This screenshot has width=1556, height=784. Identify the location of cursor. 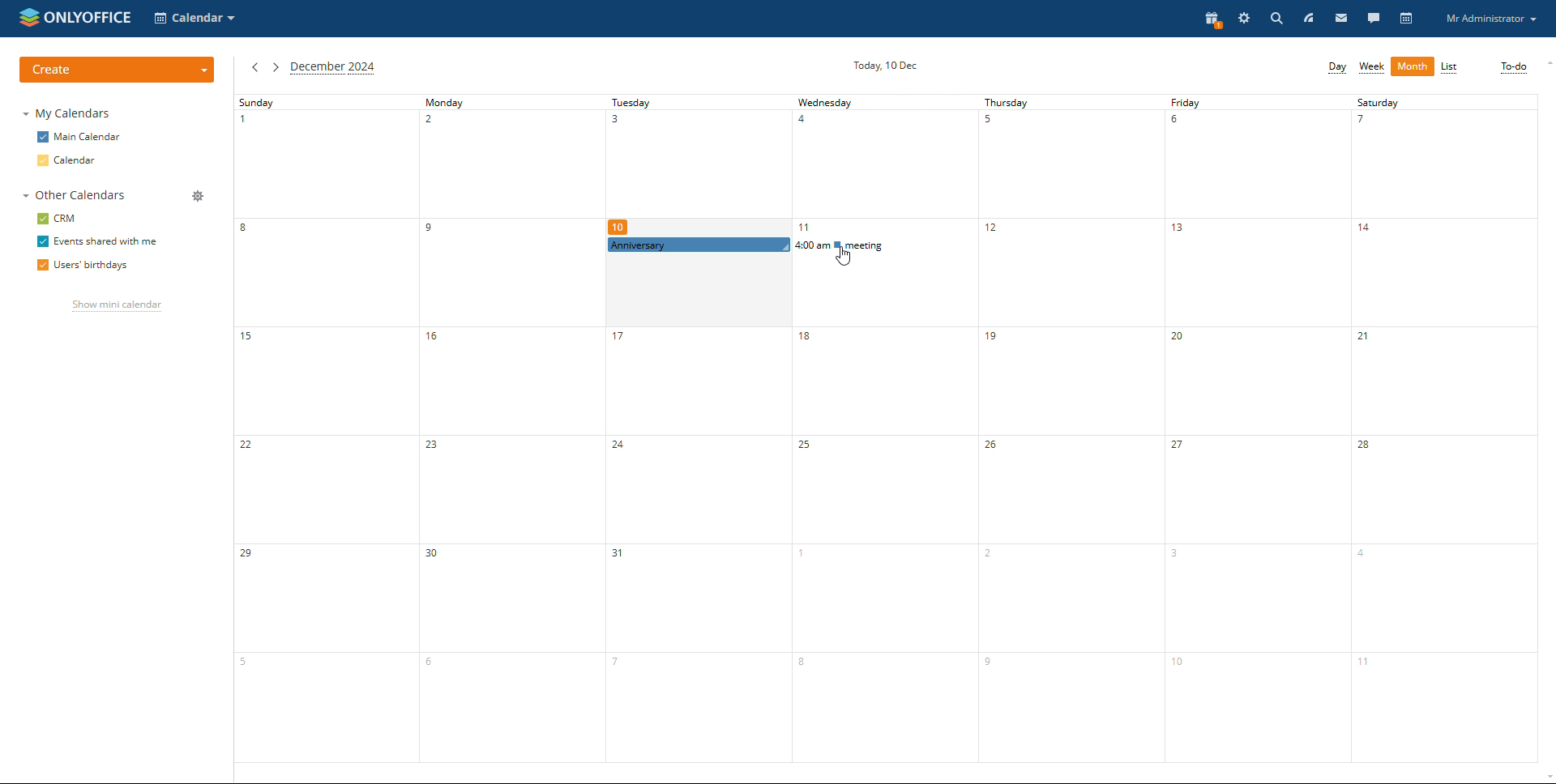
(844, 257).